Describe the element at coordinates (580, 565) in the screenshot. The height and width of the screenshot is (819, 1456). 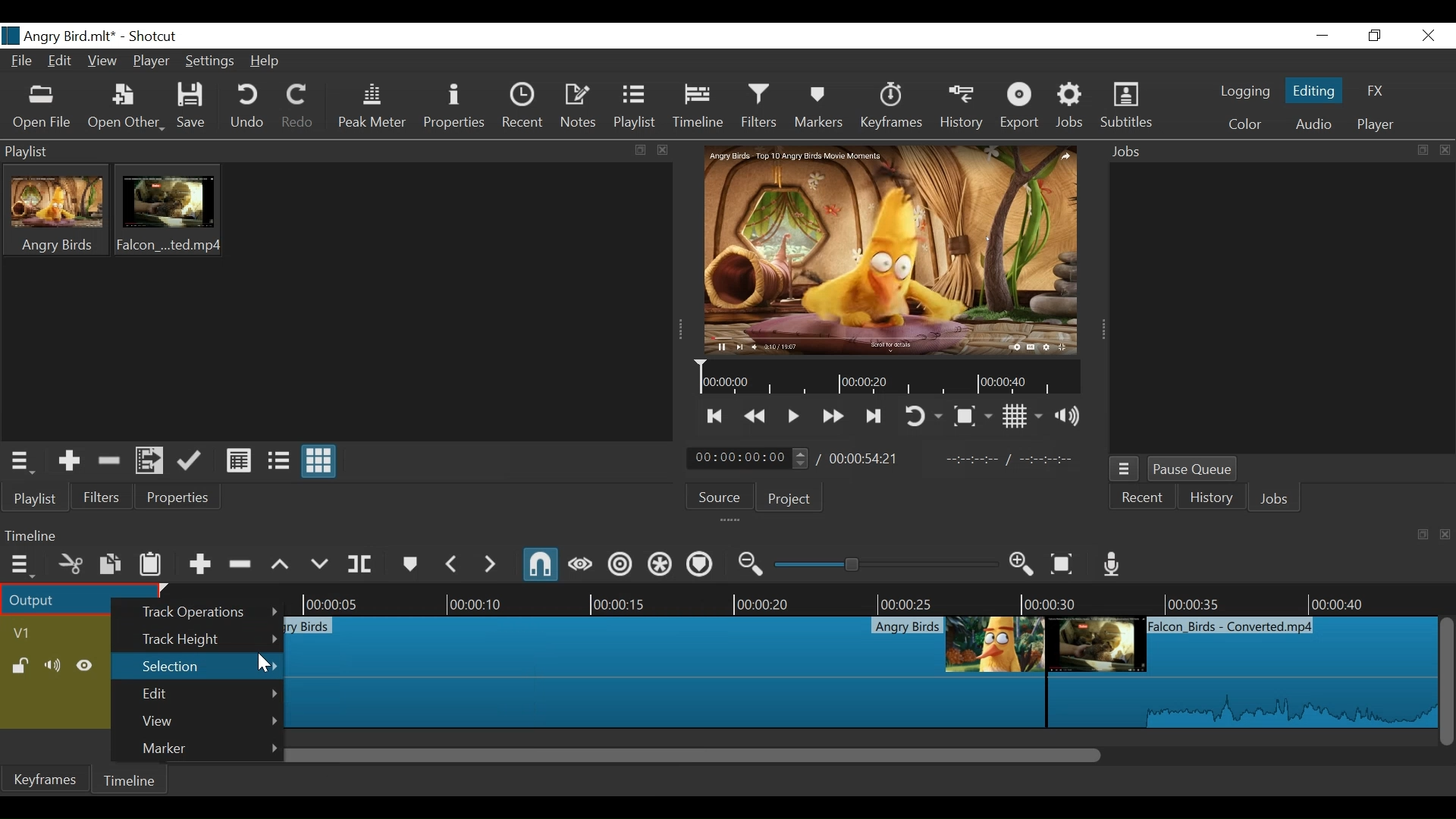
I see `Scrub while dragging` at that location.